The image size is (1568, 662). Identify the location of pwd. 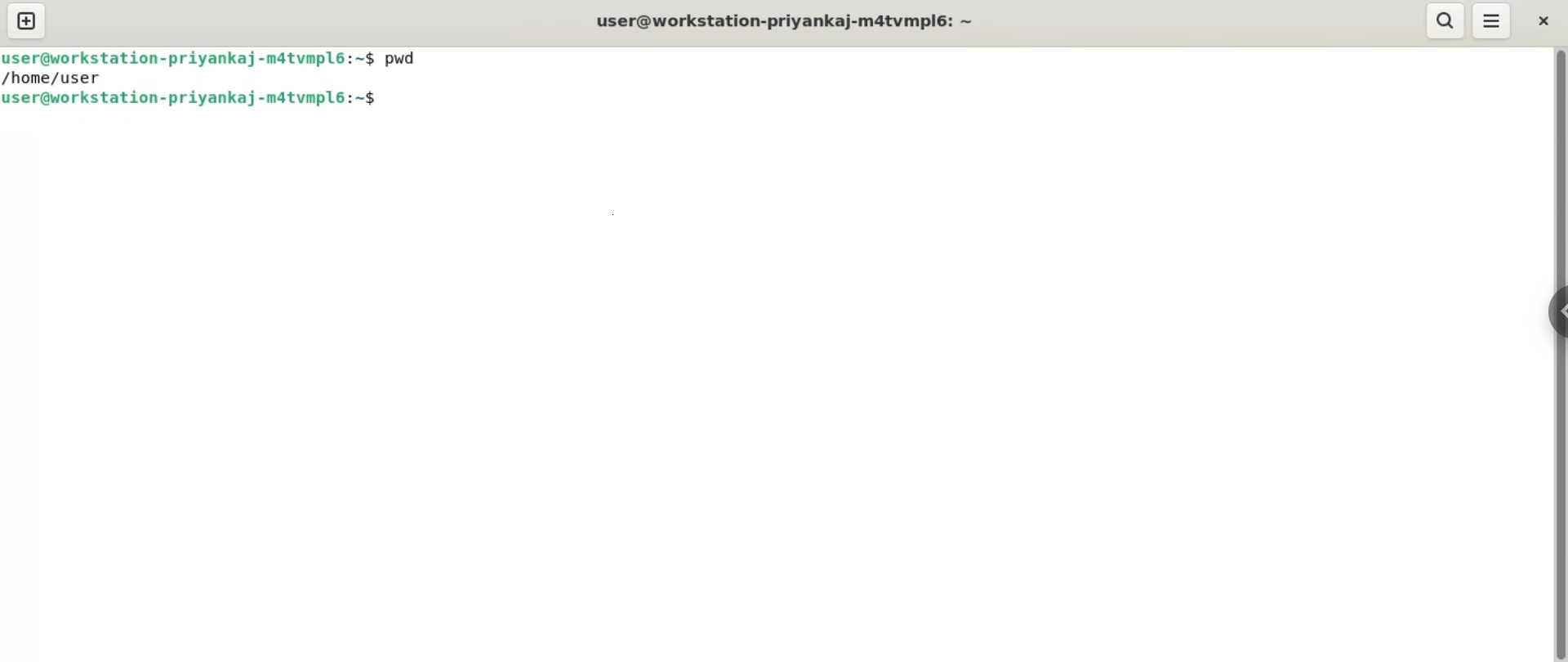
(408, 56).